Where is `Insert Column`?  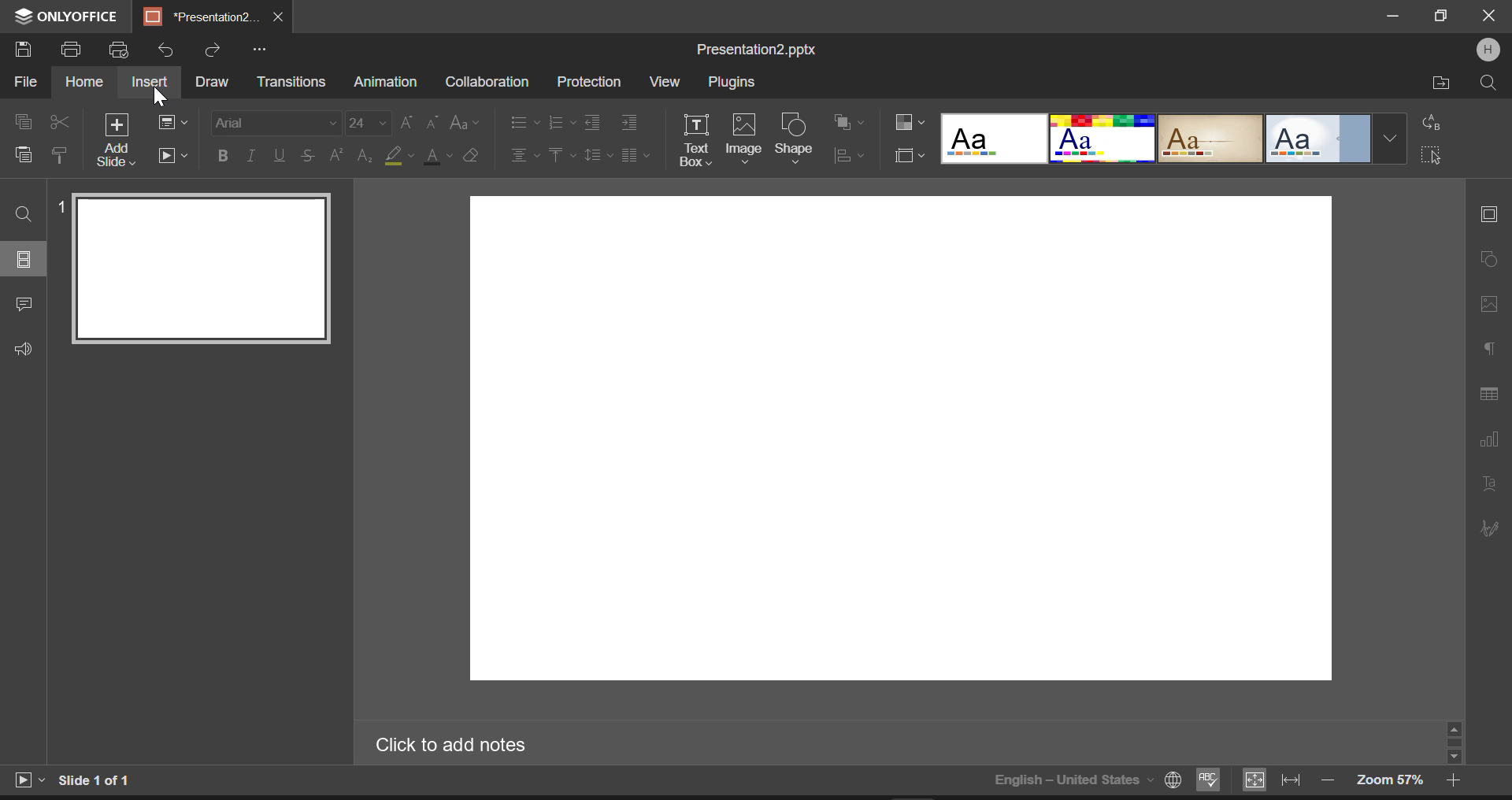
Insert Column is located at coordinates (633, 154).